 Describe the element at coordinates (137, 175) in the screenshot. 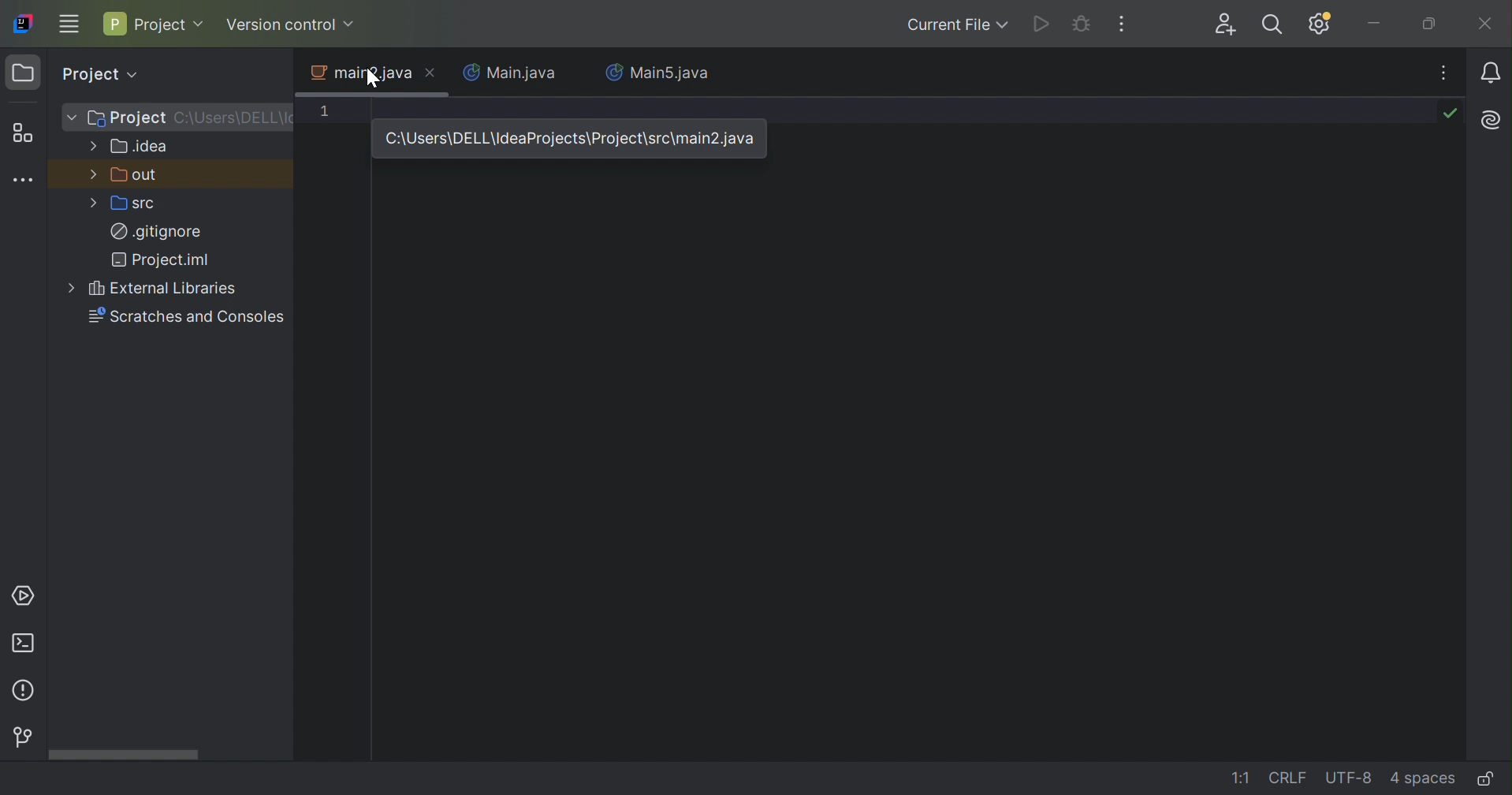

I see `out` at that location.